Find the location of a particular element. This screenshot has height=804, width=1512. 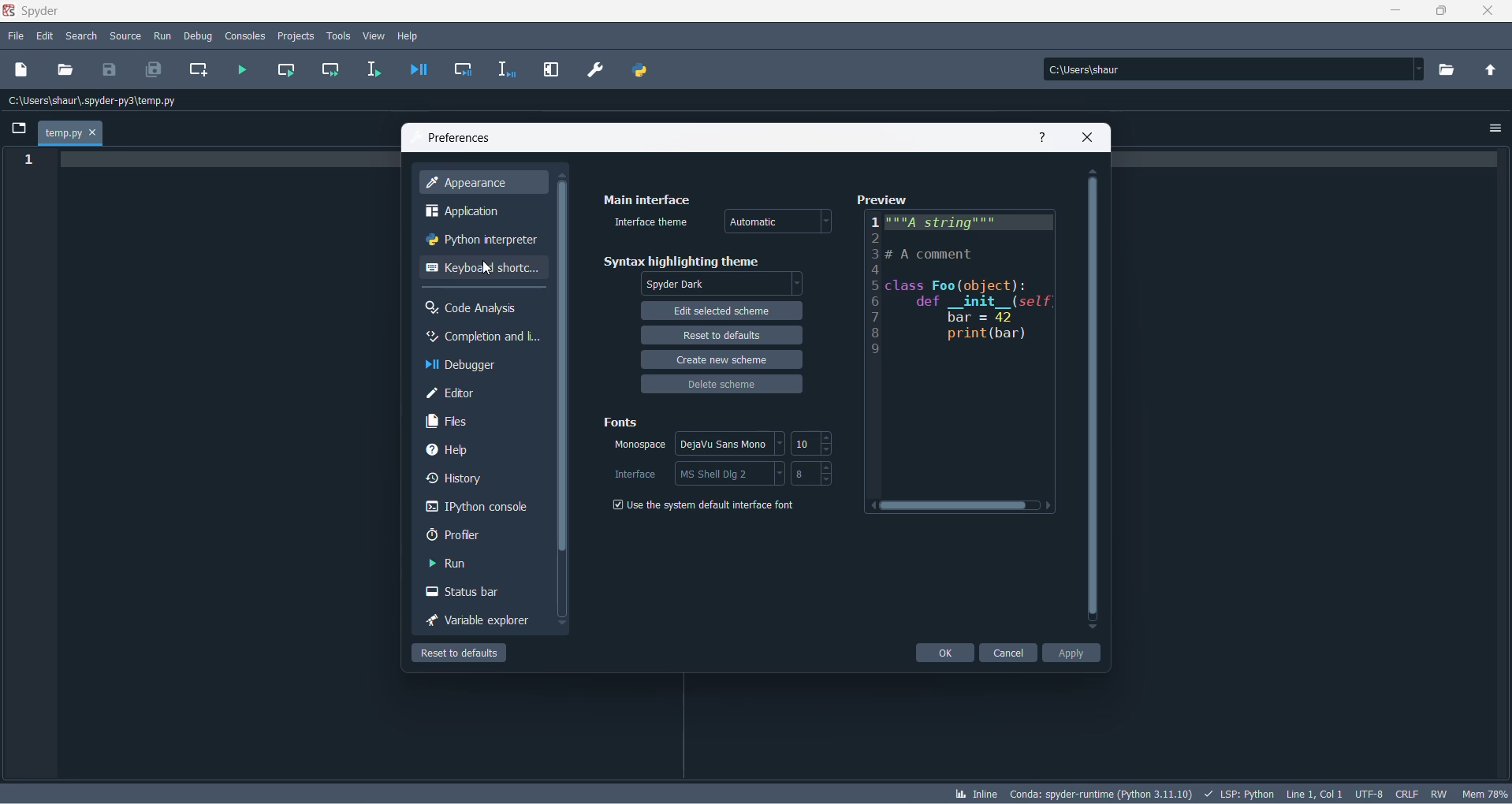

tools is located at coordinates (339, 35).